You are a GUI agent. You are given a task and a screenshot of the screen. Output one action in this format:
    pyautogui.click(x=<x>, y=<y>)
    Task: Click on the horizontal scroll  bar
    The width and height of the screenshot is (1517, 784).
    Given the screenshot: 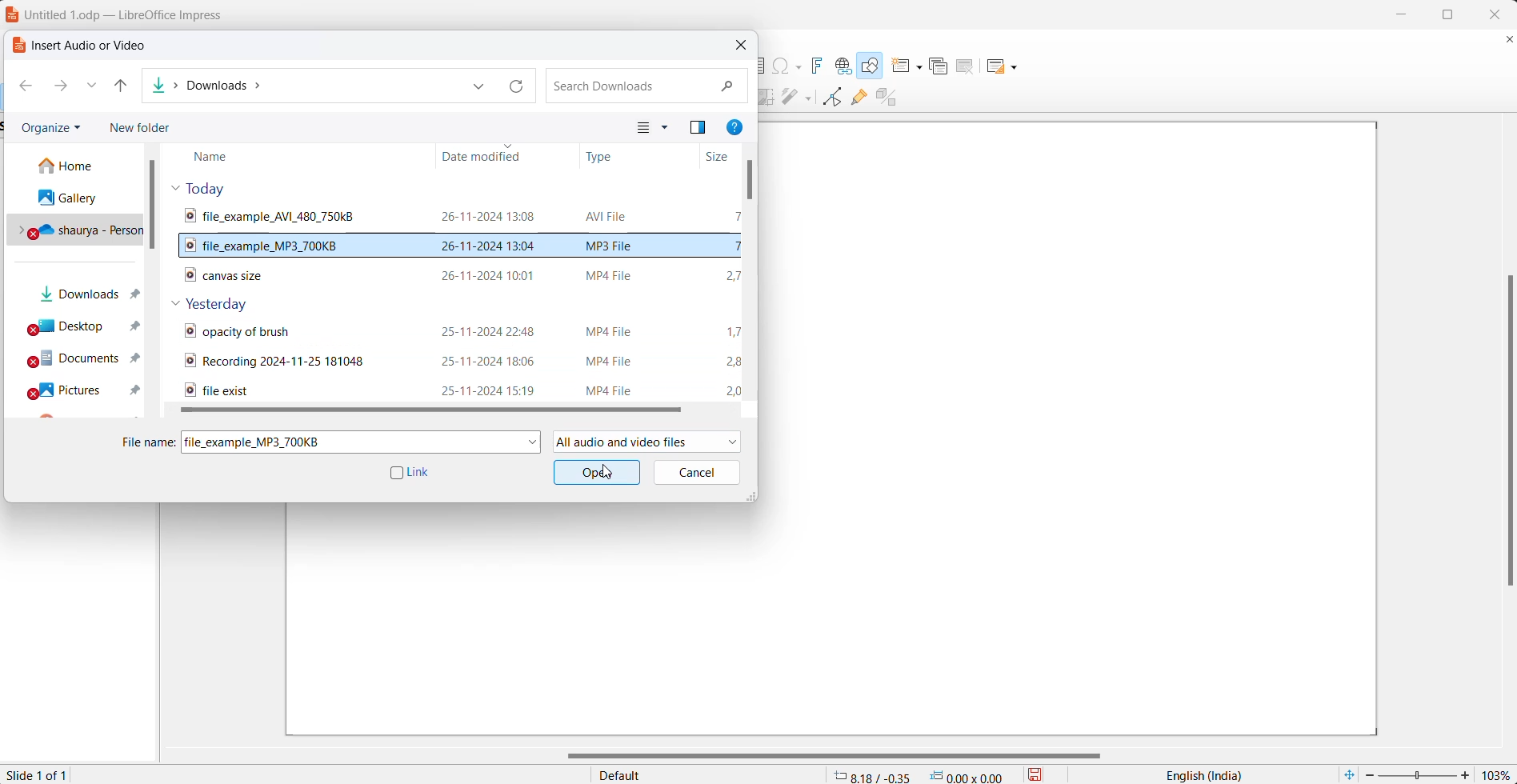 What is the action you would take?
    pyautogui.click(x=836, y=756)
    